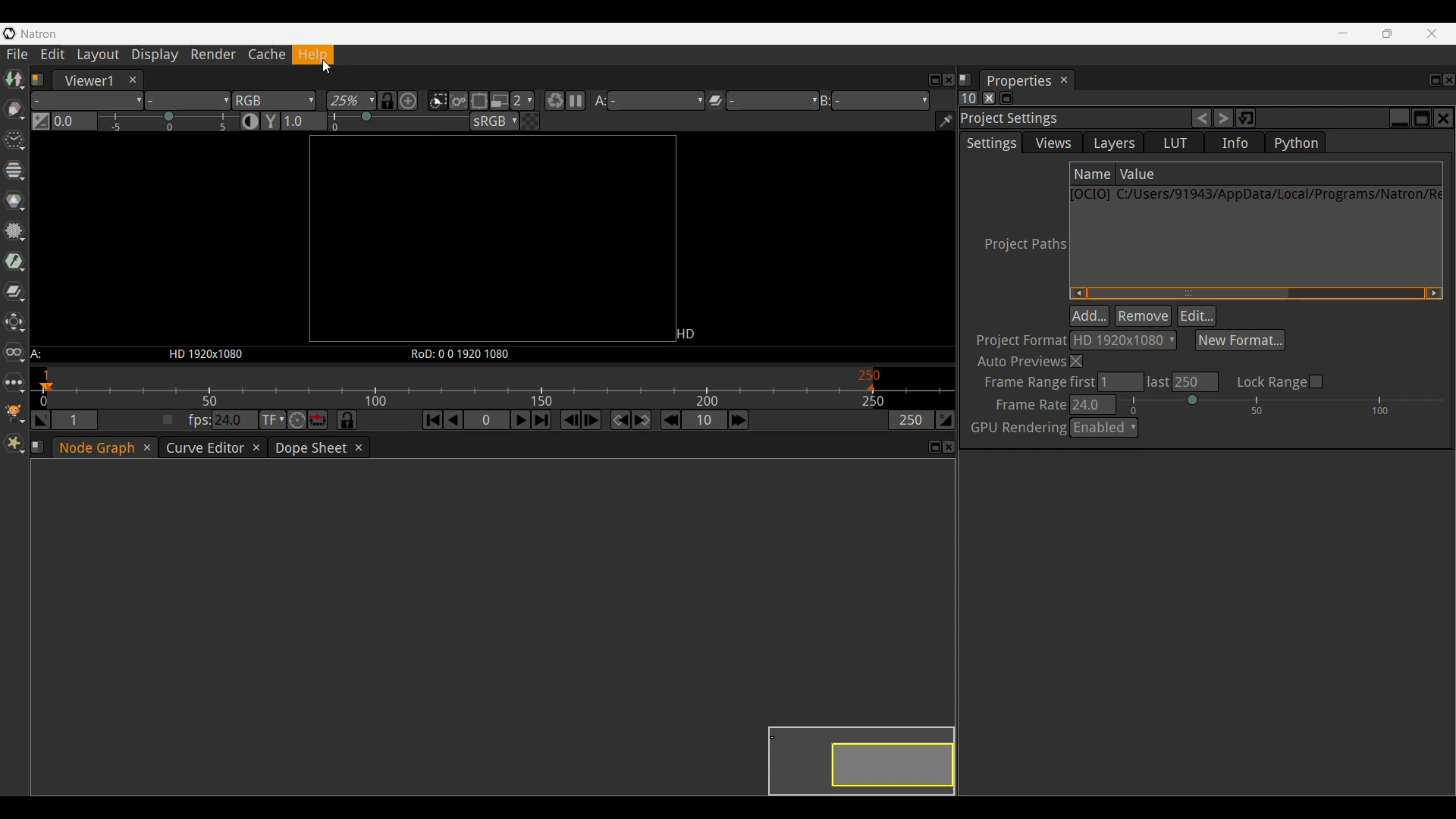 The width and height of the screenshot is (1456, 819). I want to click on Type in gain, so click(74, 121).